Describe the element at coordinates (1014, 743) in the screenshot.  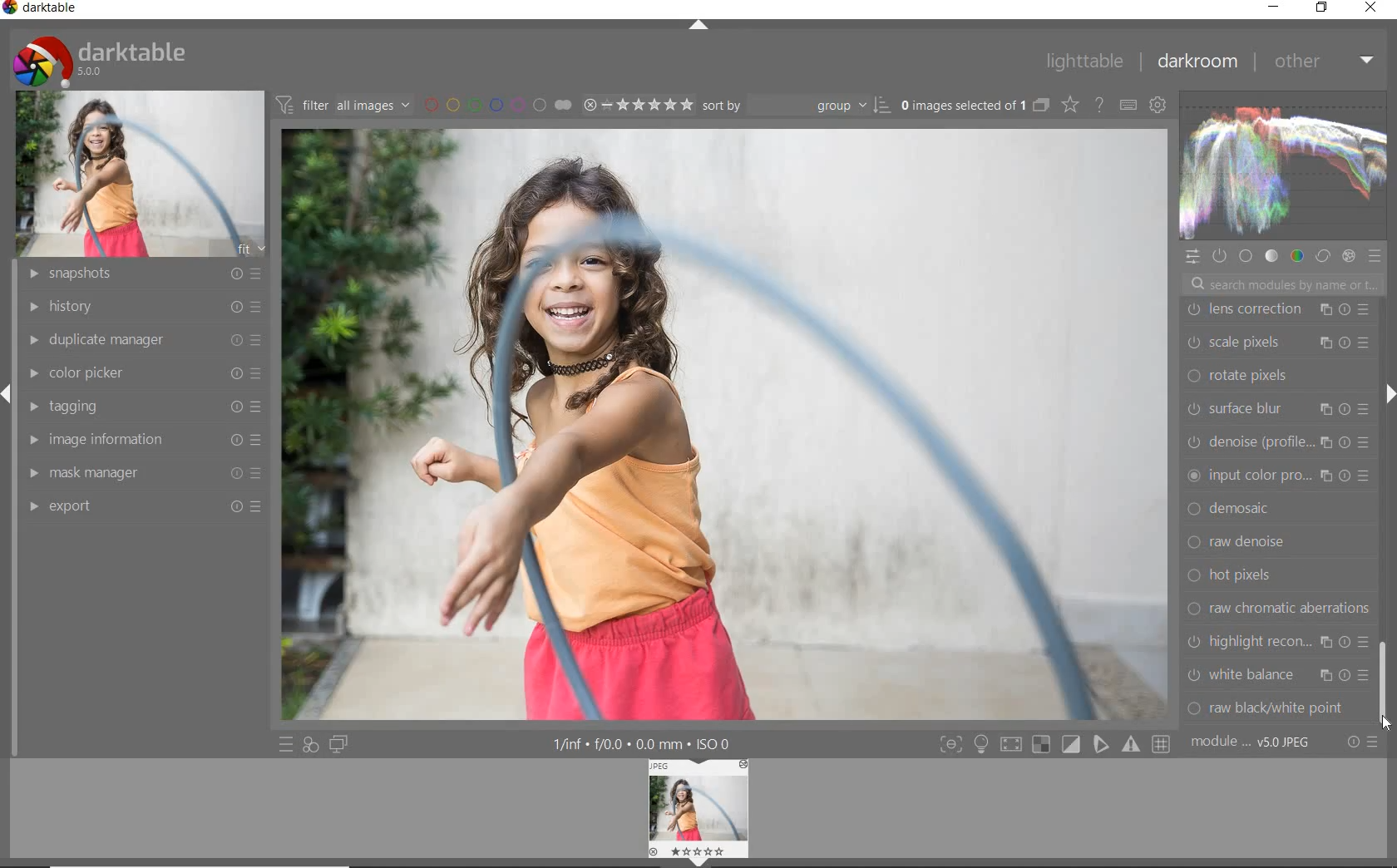
I see `toggle mode ` at that location.